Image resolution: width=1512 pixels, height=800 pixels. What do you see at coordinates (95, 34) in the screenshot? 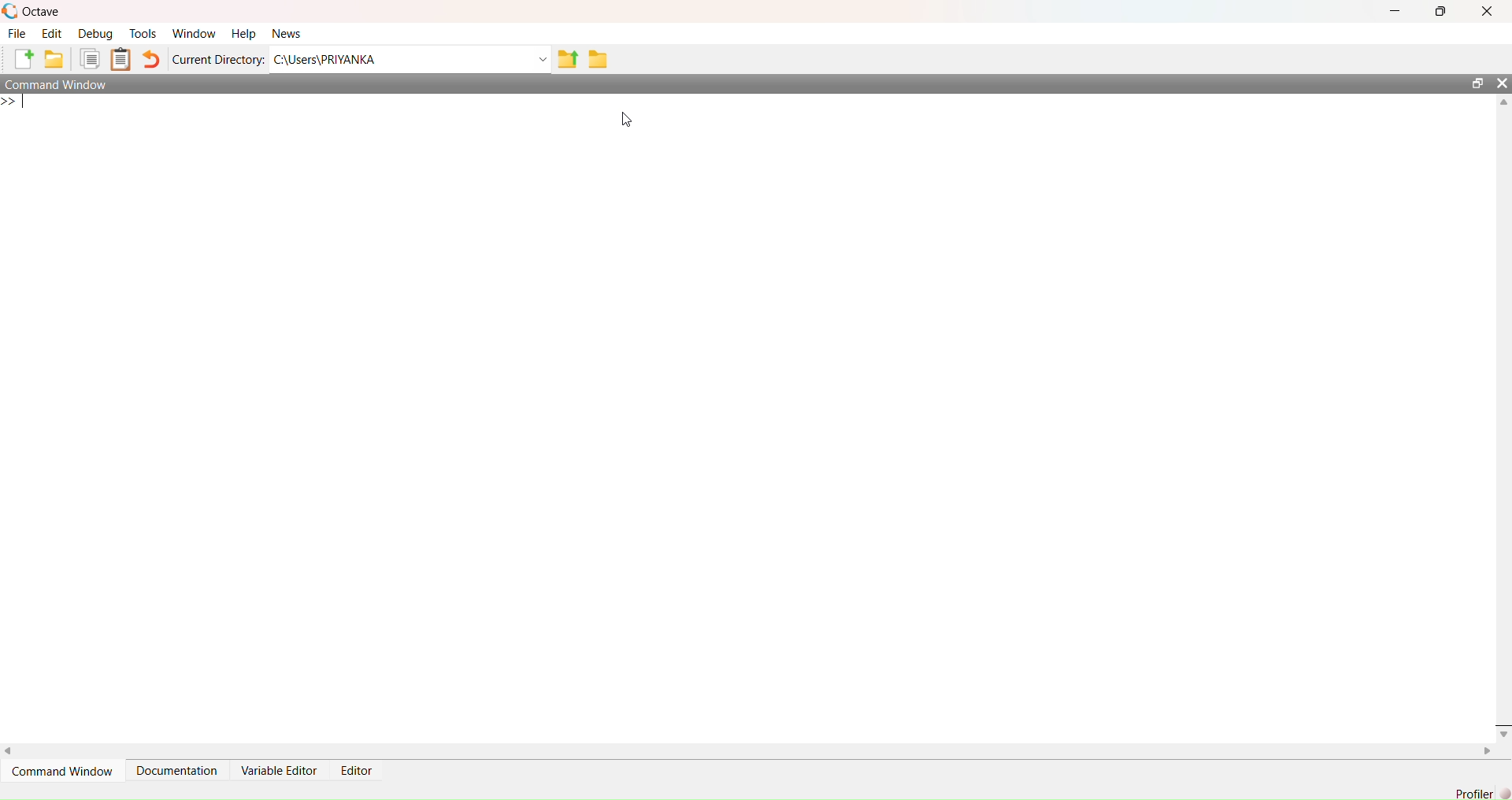
I see `Debug` at bounding box center [95, 34].